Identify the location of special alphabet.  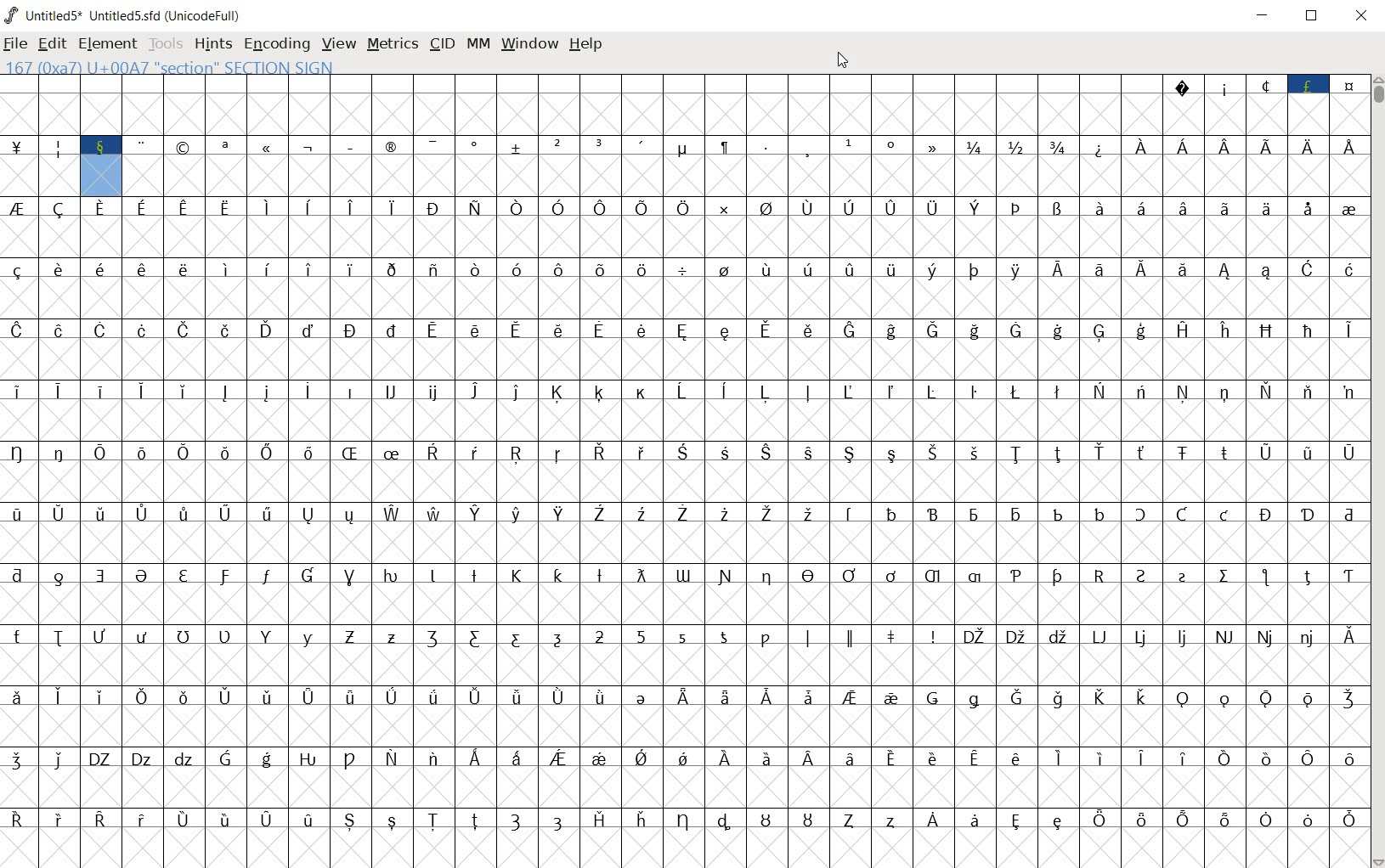
(228, 656).